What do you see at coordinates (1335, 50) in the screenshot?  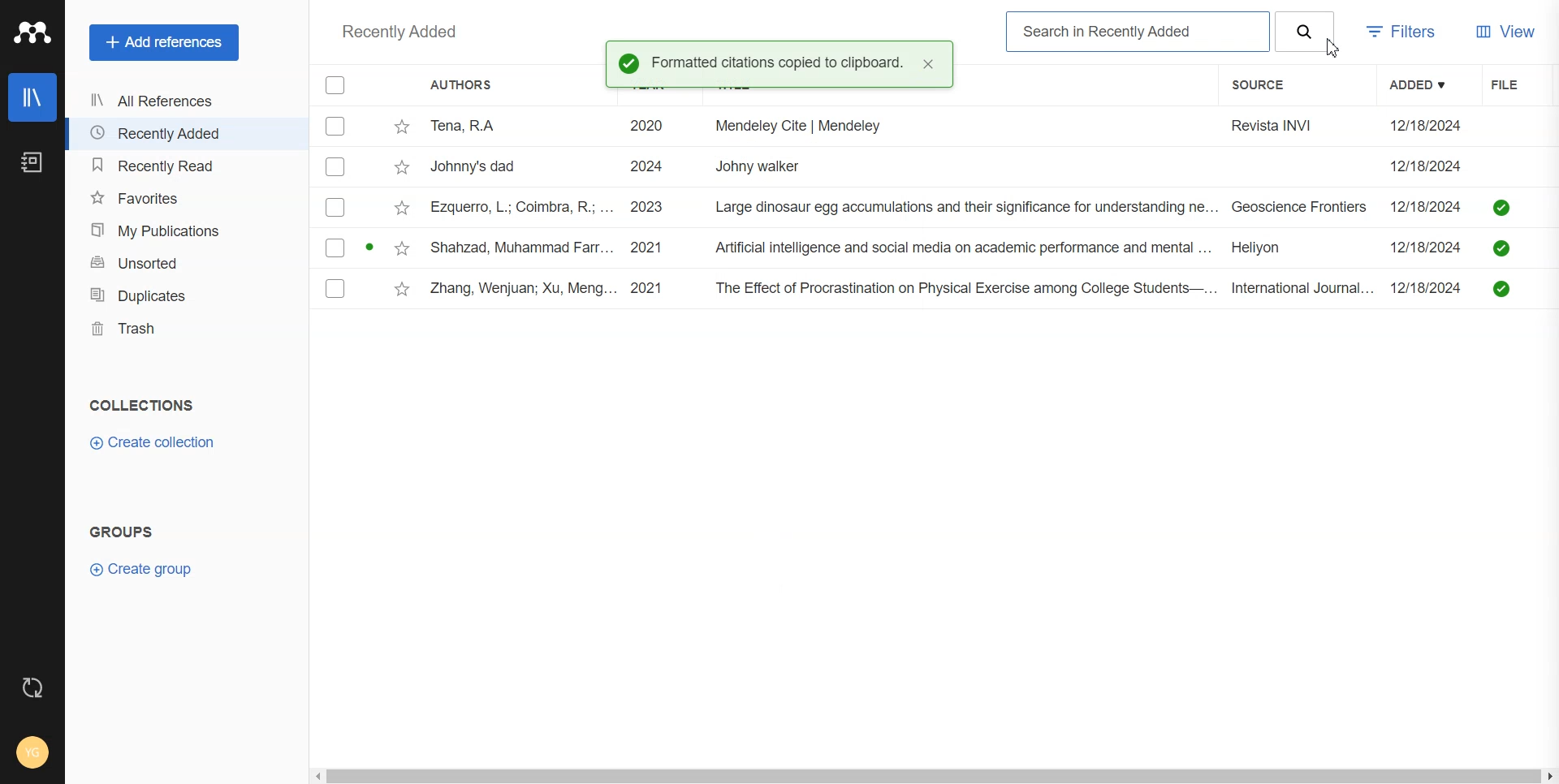 I see `Cursor` at bounding box center [1335, 50].